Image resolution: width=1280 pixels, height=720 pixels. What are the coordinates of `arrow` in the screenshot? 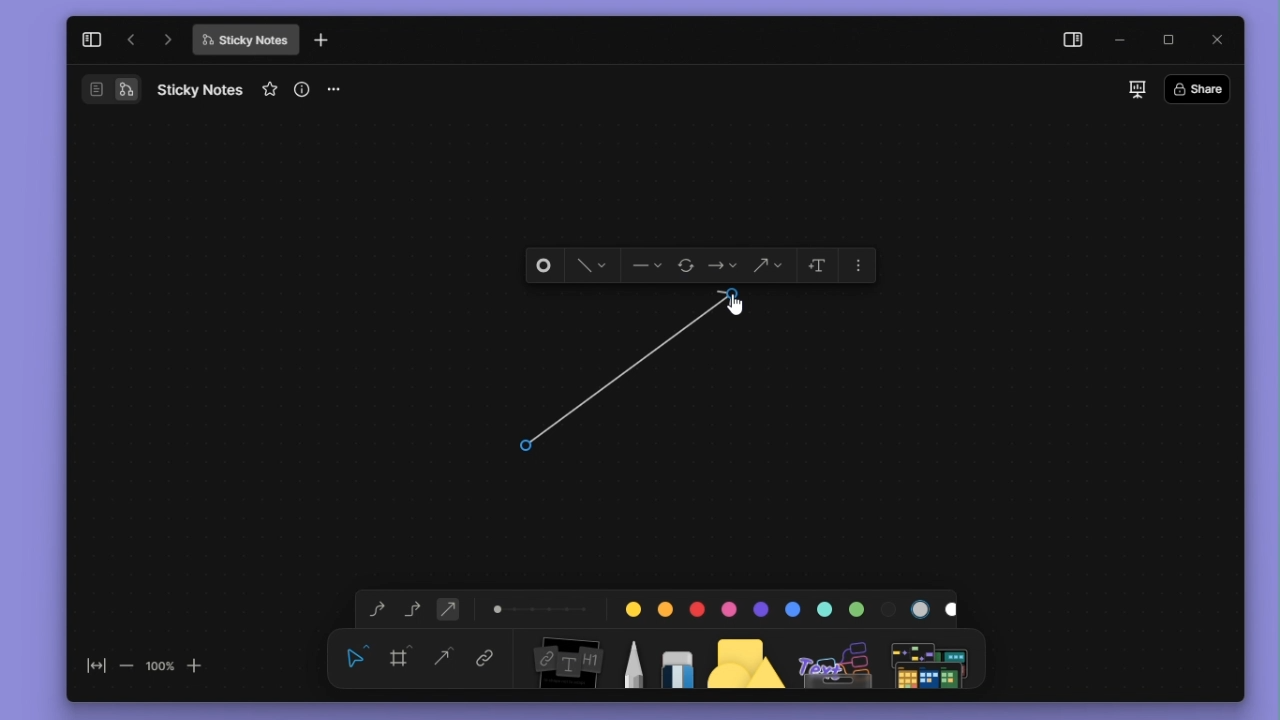 It's located at (637, 375).